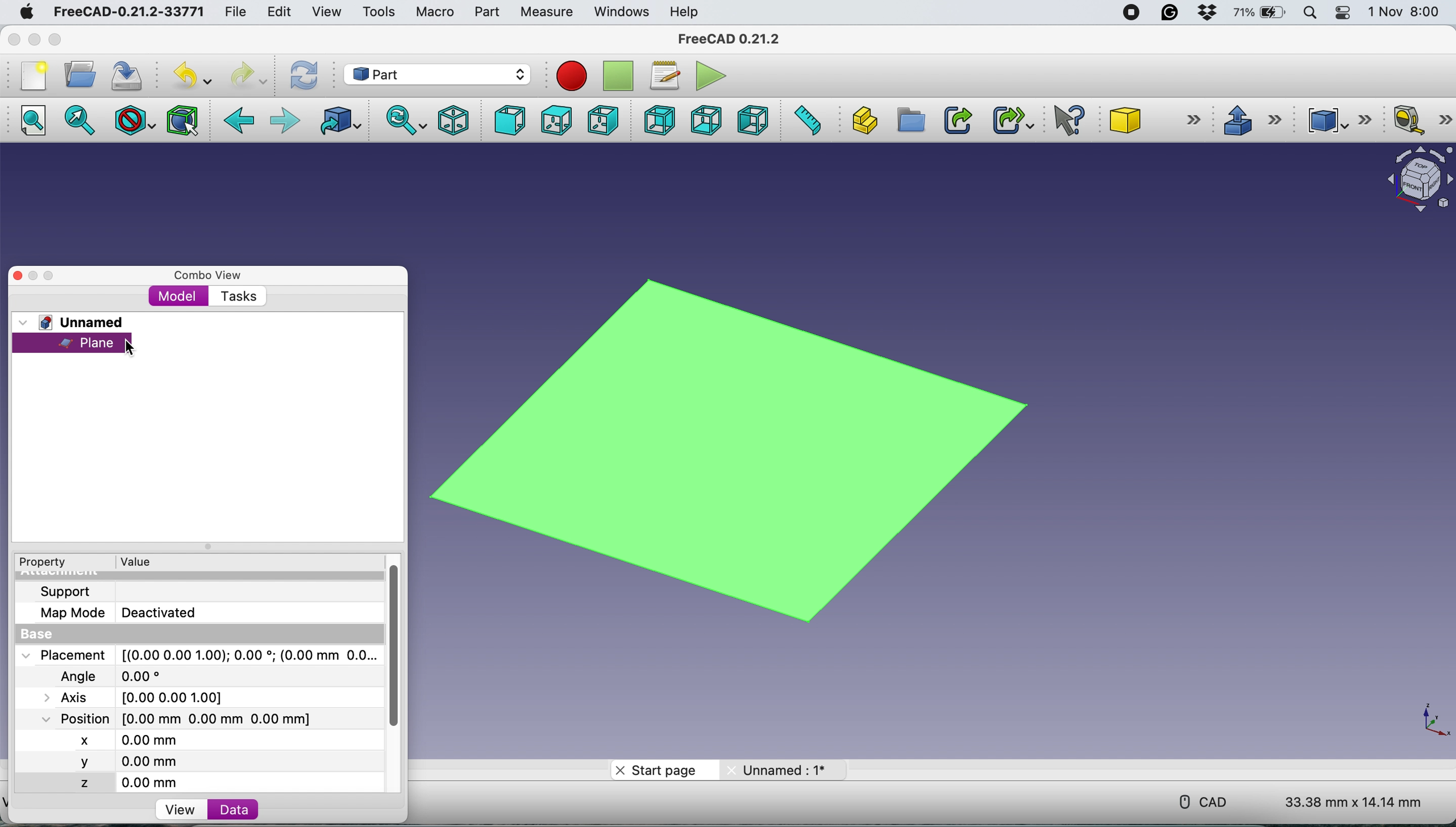 Image resolution: width=1456 pixels, height=827 pixels. What do you see at coordinates (60, 574) in the screenshot?
I see `Attachment` at bounding box center [60, 574].